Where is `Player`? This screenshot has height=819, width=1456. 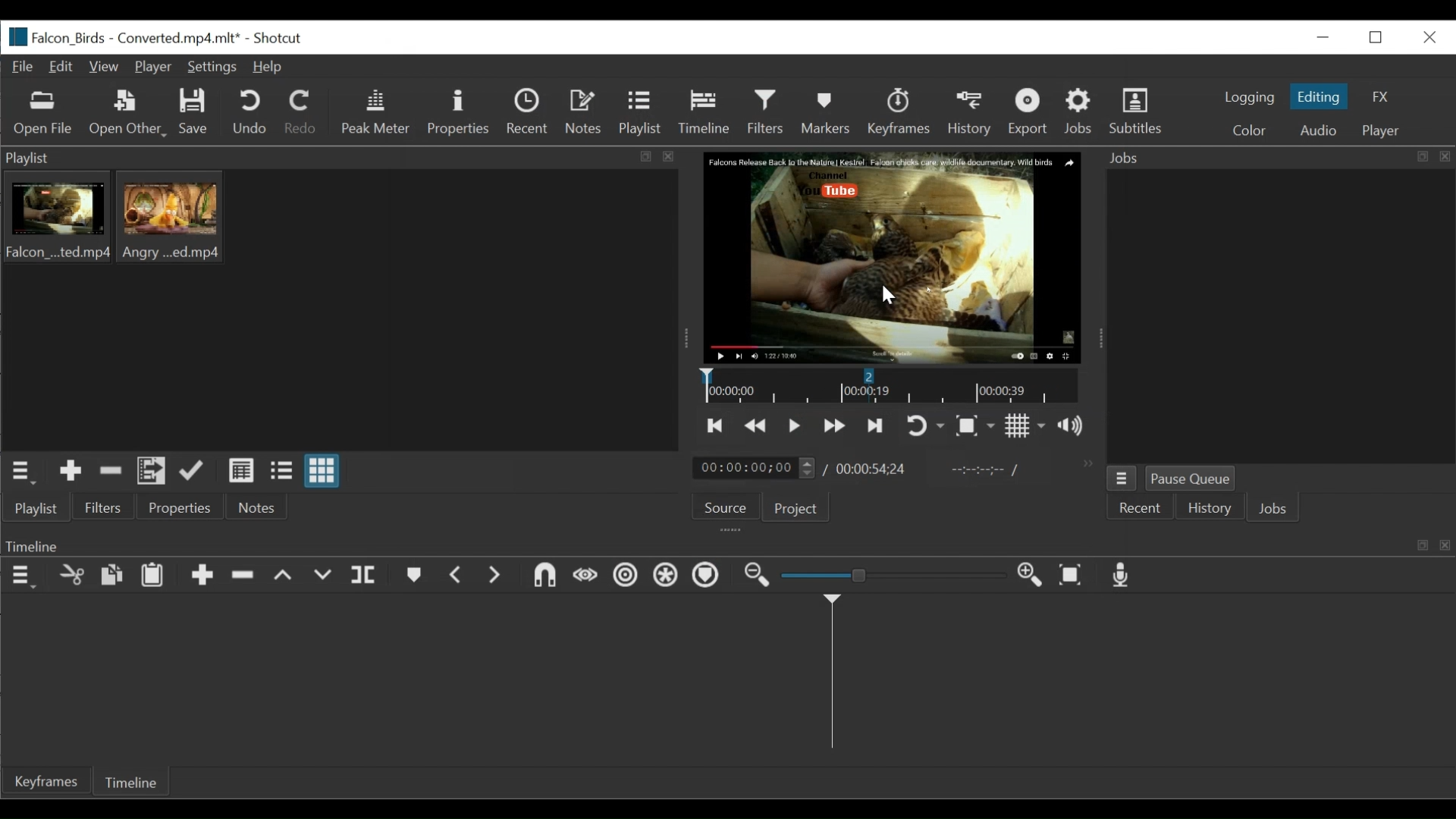
Player is located at coordinates (153, 67).